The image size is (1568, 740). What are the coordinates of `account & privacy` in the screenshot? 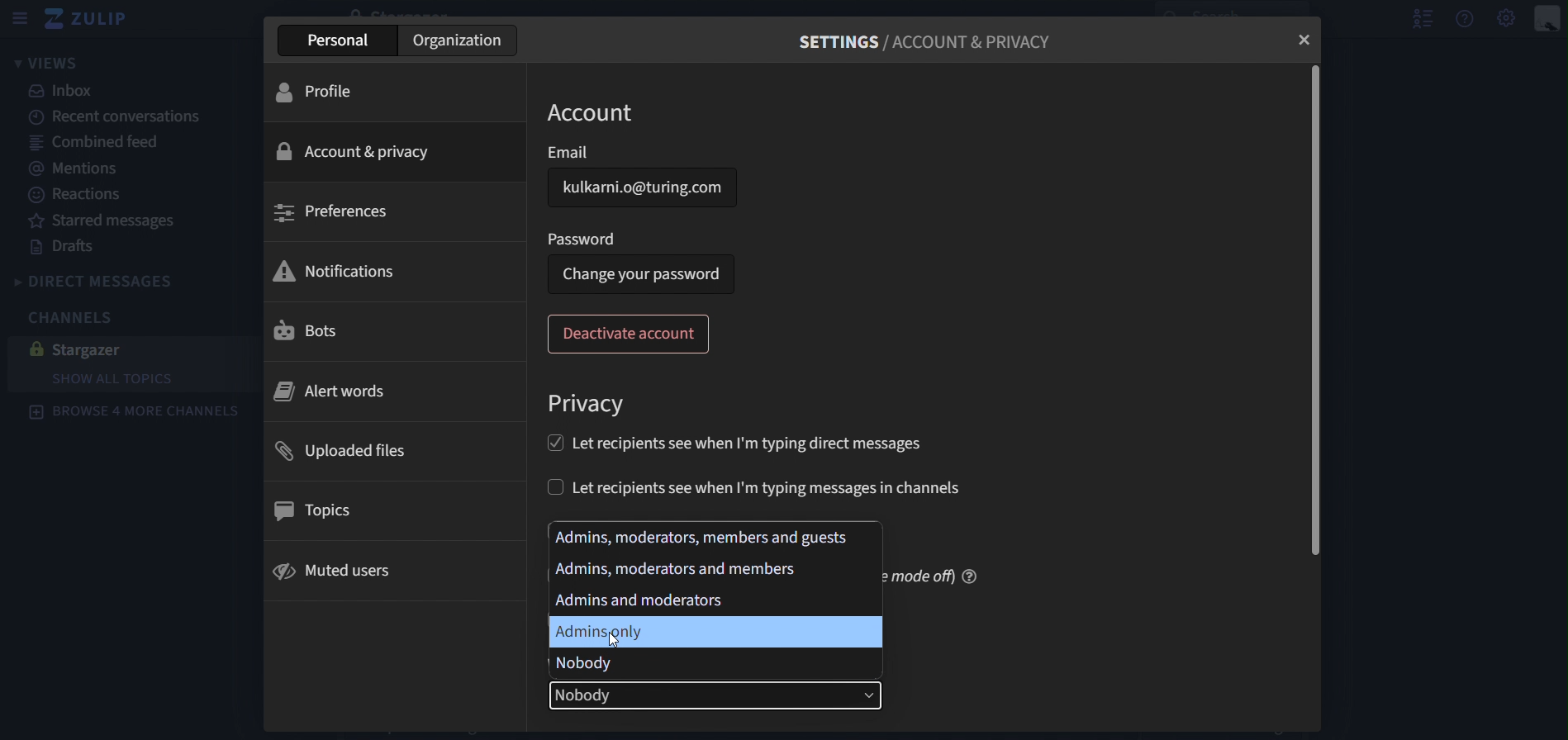 It's located at (359, 149).